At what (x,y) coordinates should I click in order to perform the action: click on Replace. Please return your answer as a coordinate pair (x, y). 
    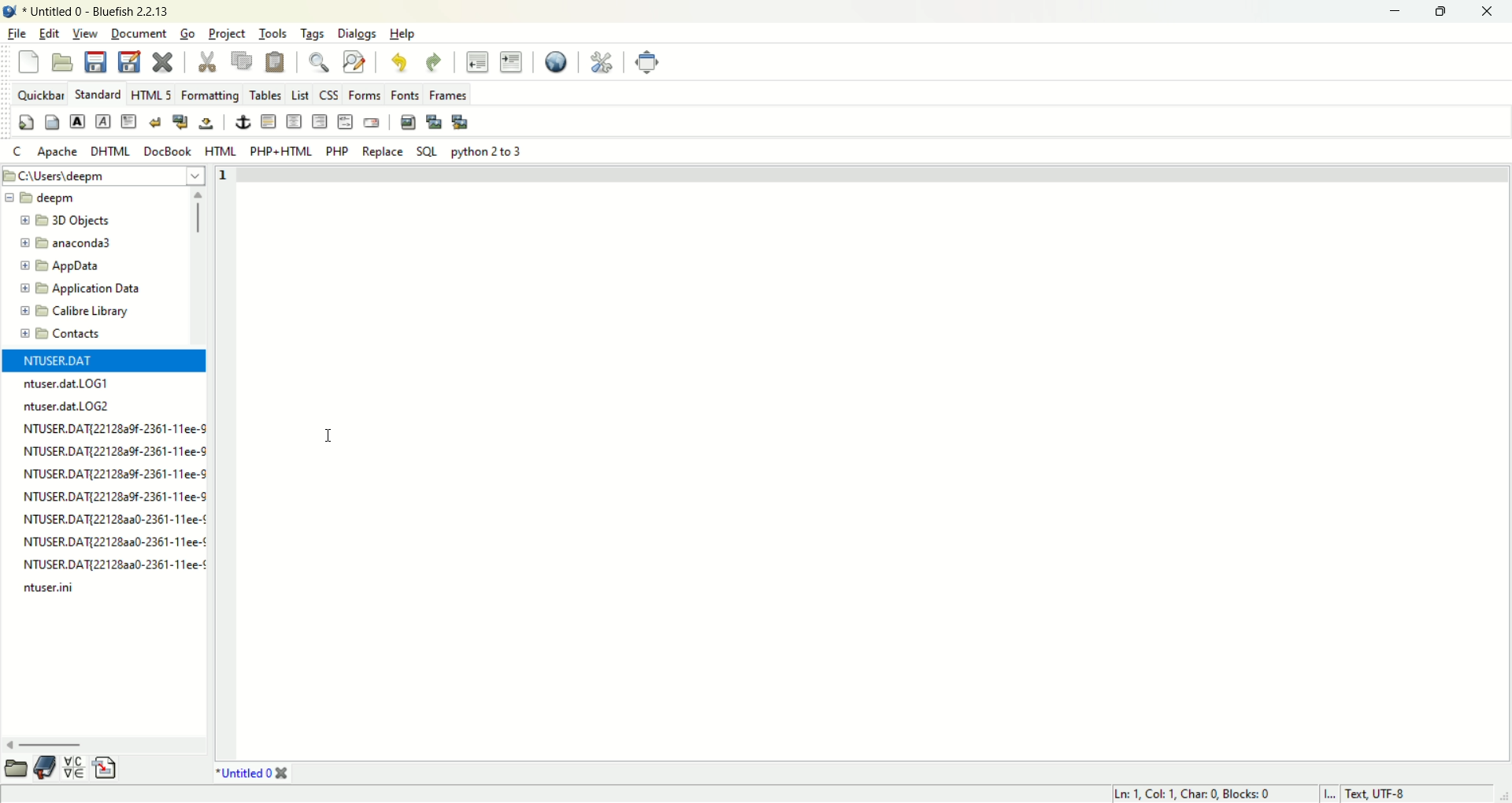
    Looking at the image, I should click on (384, 152).